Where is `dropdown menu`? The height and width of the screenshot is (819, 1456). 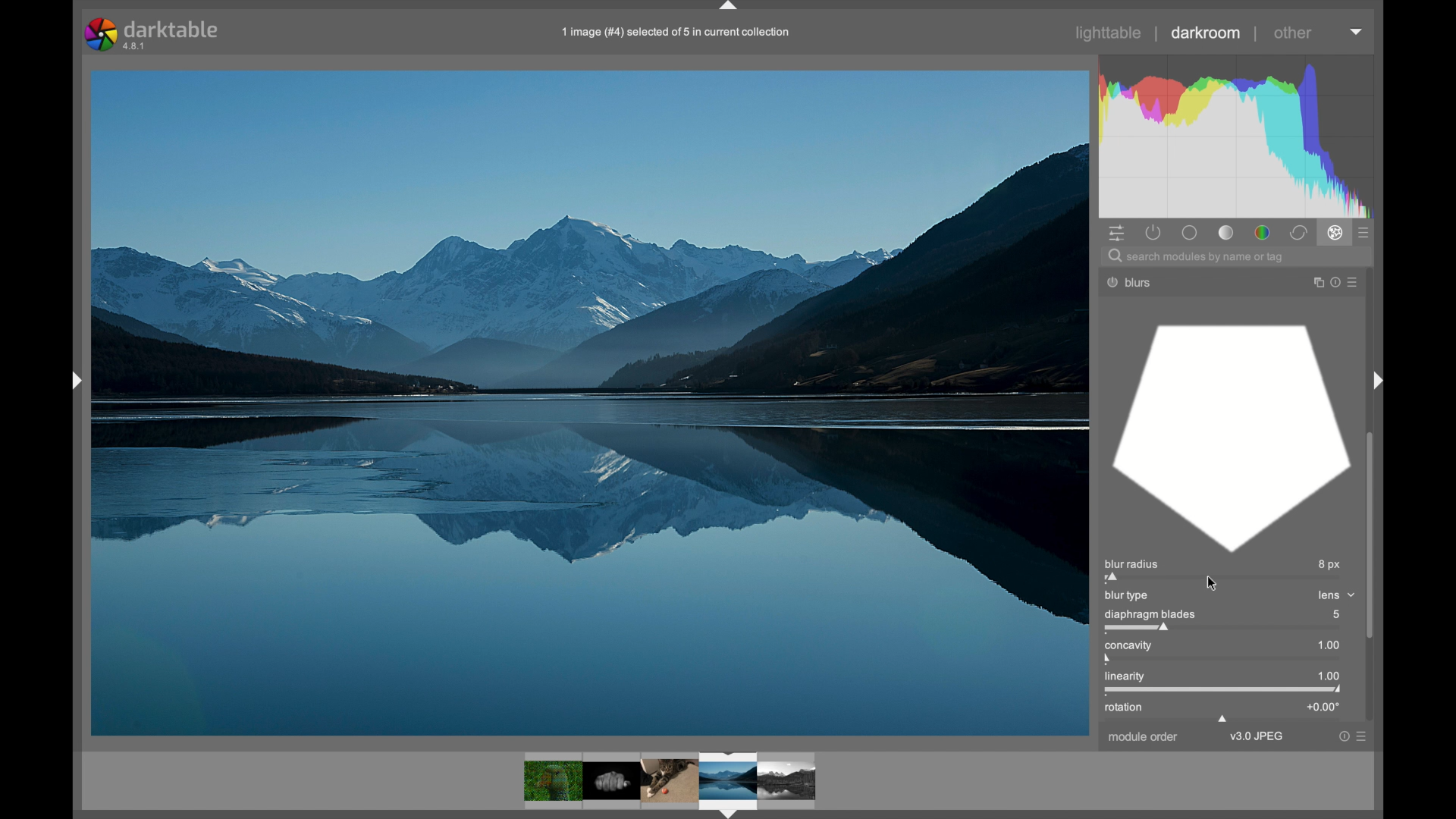 dropdown menu is located at coordinates (1357, 33).